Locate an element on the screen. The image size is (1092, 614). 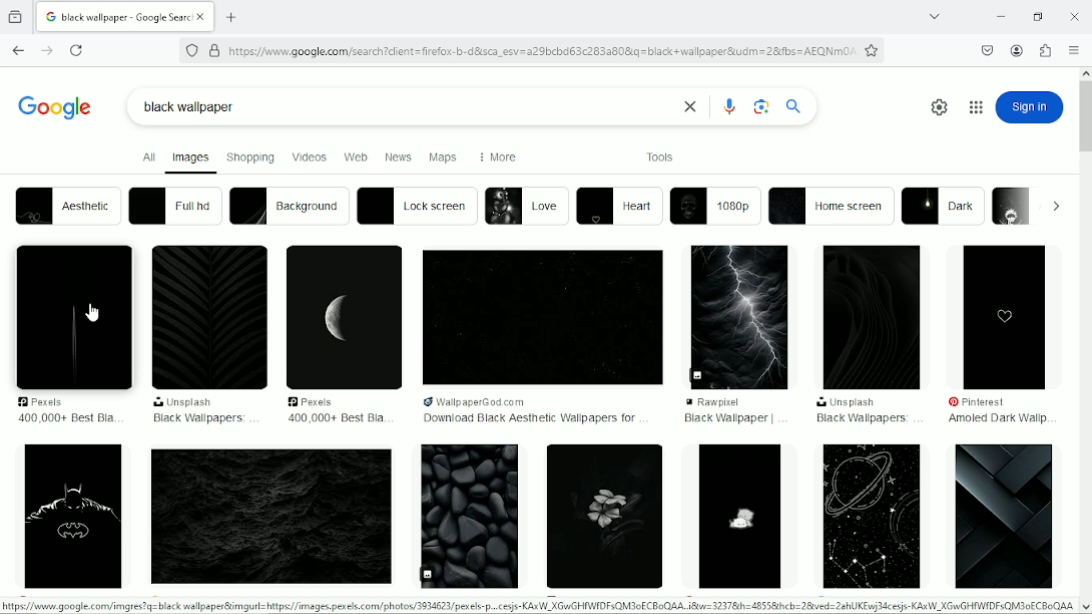
account is located at coordinates (1016, 50).